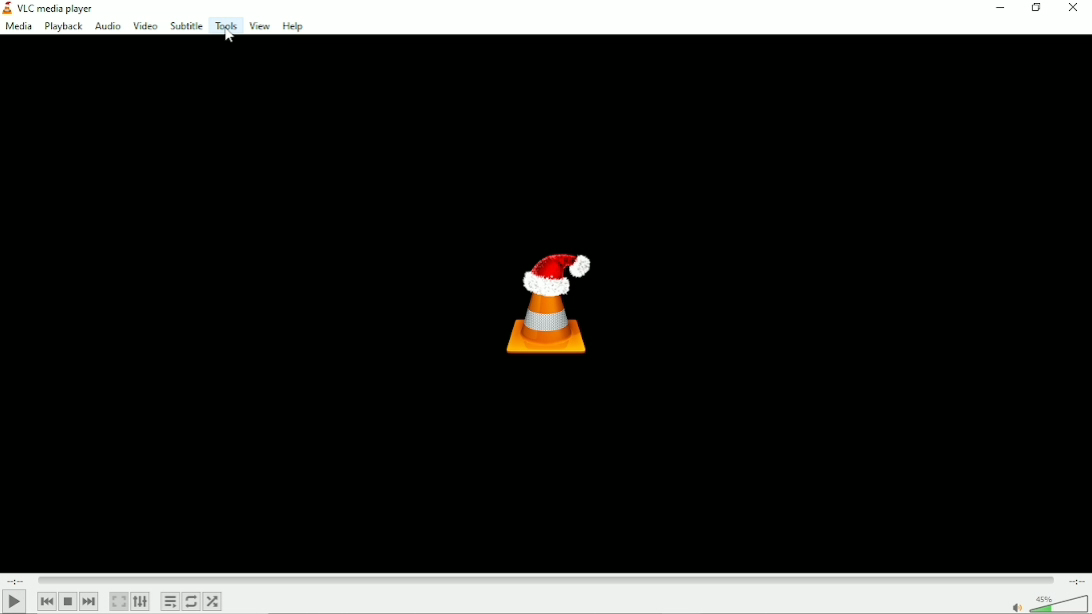 The width and height of the screenshot is (1092, 614). I want to click on stop playlist, so click(69, 601).